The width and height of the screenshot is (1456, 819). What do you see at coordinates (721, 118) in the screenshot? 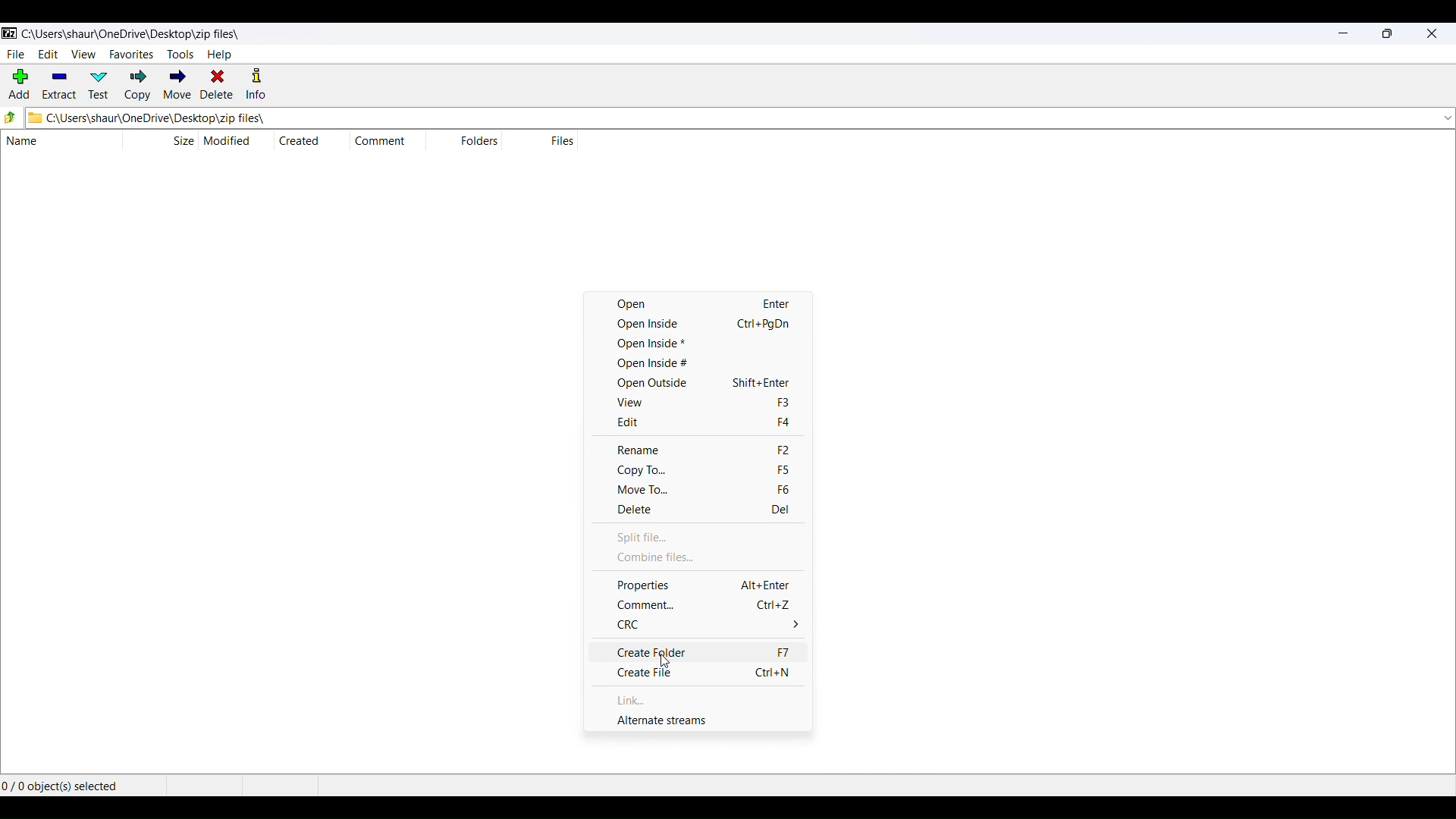
I see `CURRENT FOLDER PATH` at bounding box center [721, 118].